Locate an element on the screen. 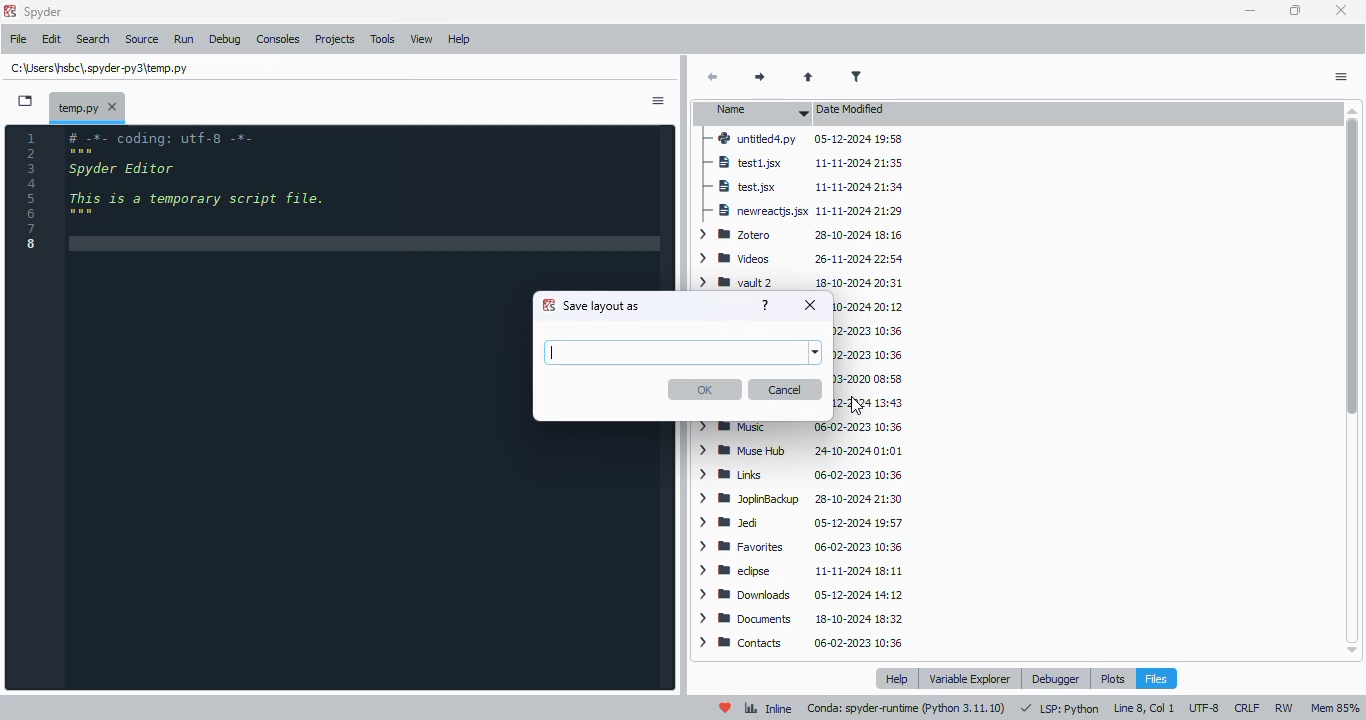  temporary file is located at coordinates (87, 105).